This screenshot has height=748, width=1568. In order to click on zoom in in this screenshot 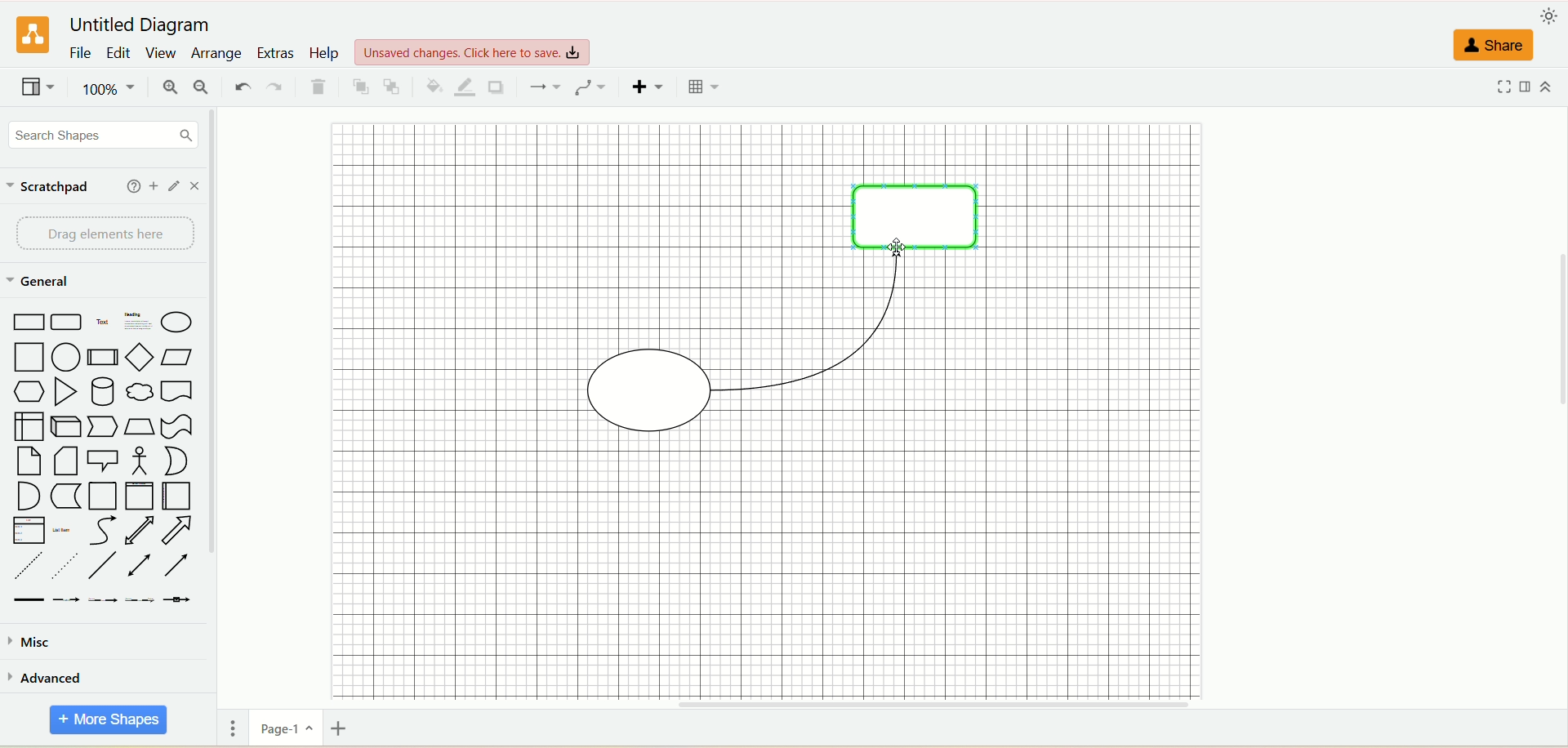, I will do `click(169, 87)`.